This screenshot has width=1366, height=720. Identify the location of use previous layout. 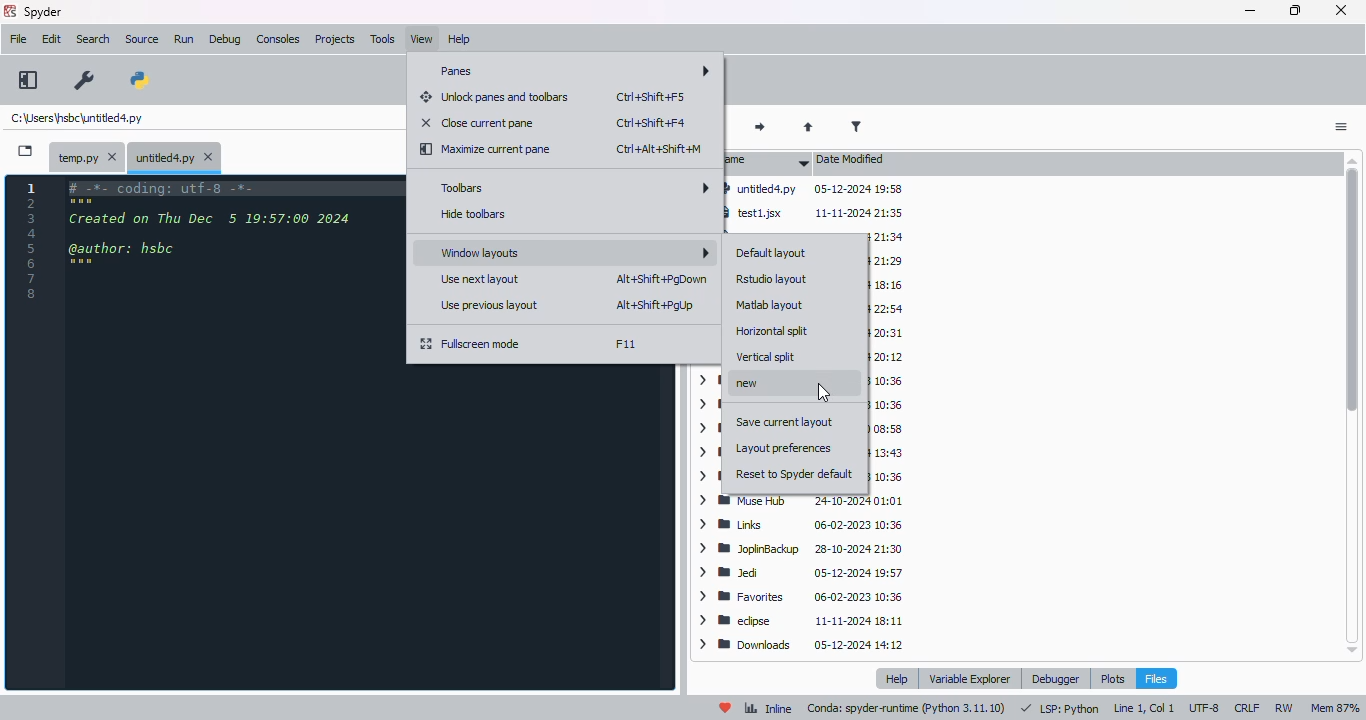
(493, 305).